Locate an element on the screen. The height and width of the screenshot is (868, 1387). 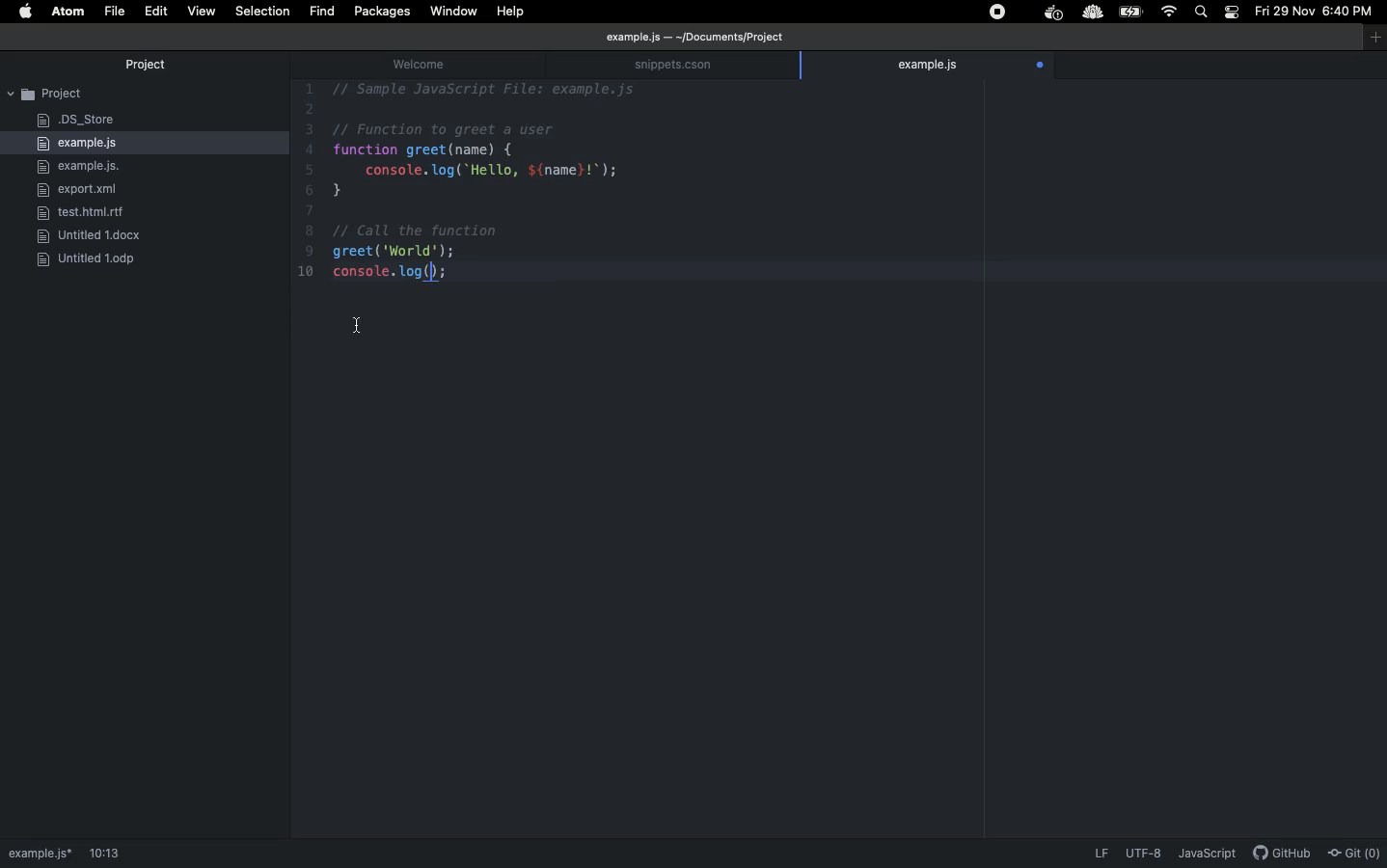
View is located at coordinates (202, 12).